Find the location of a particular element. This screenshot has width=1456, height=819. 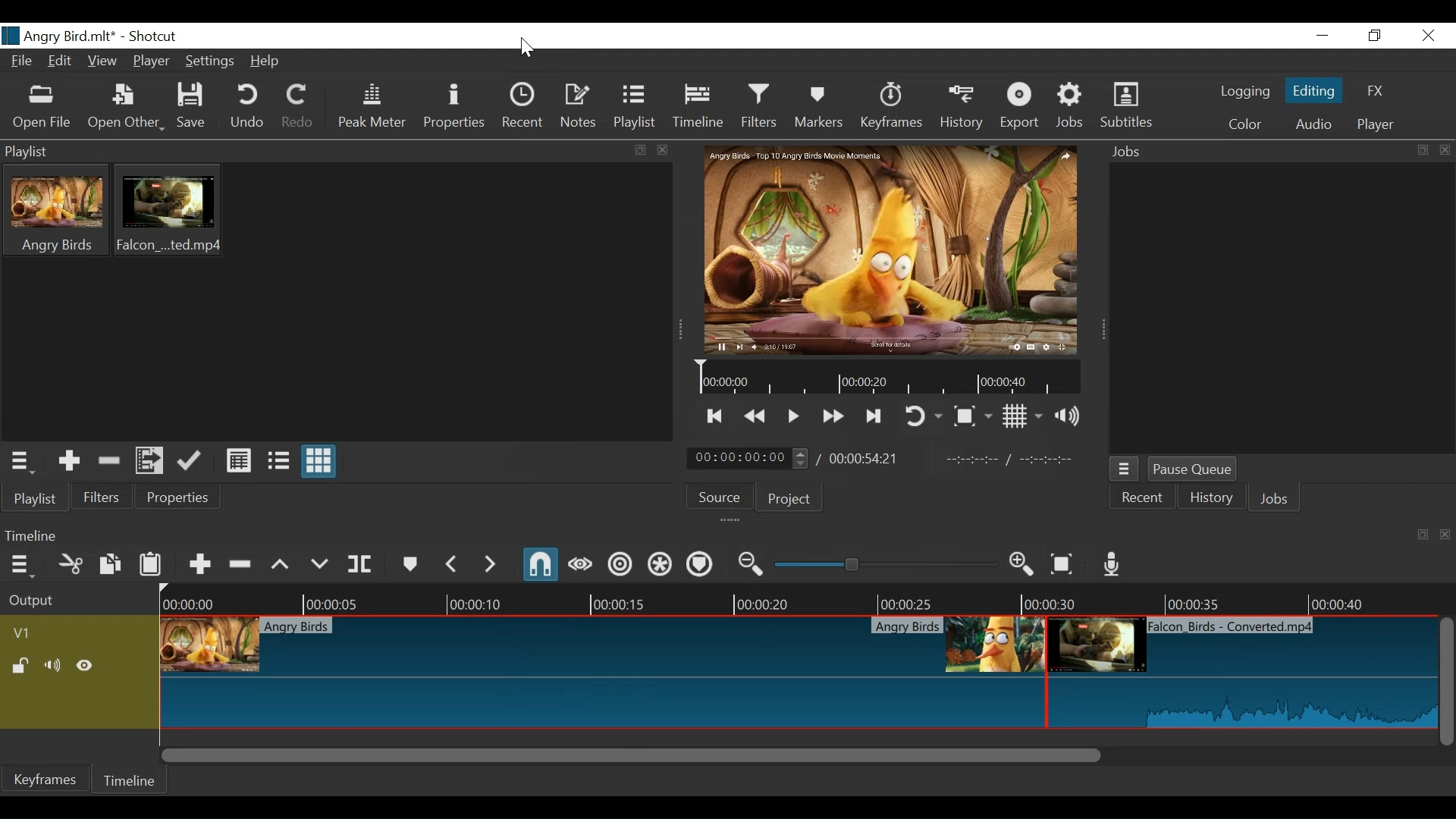

Jobs is located at coordinates (1072, 106).